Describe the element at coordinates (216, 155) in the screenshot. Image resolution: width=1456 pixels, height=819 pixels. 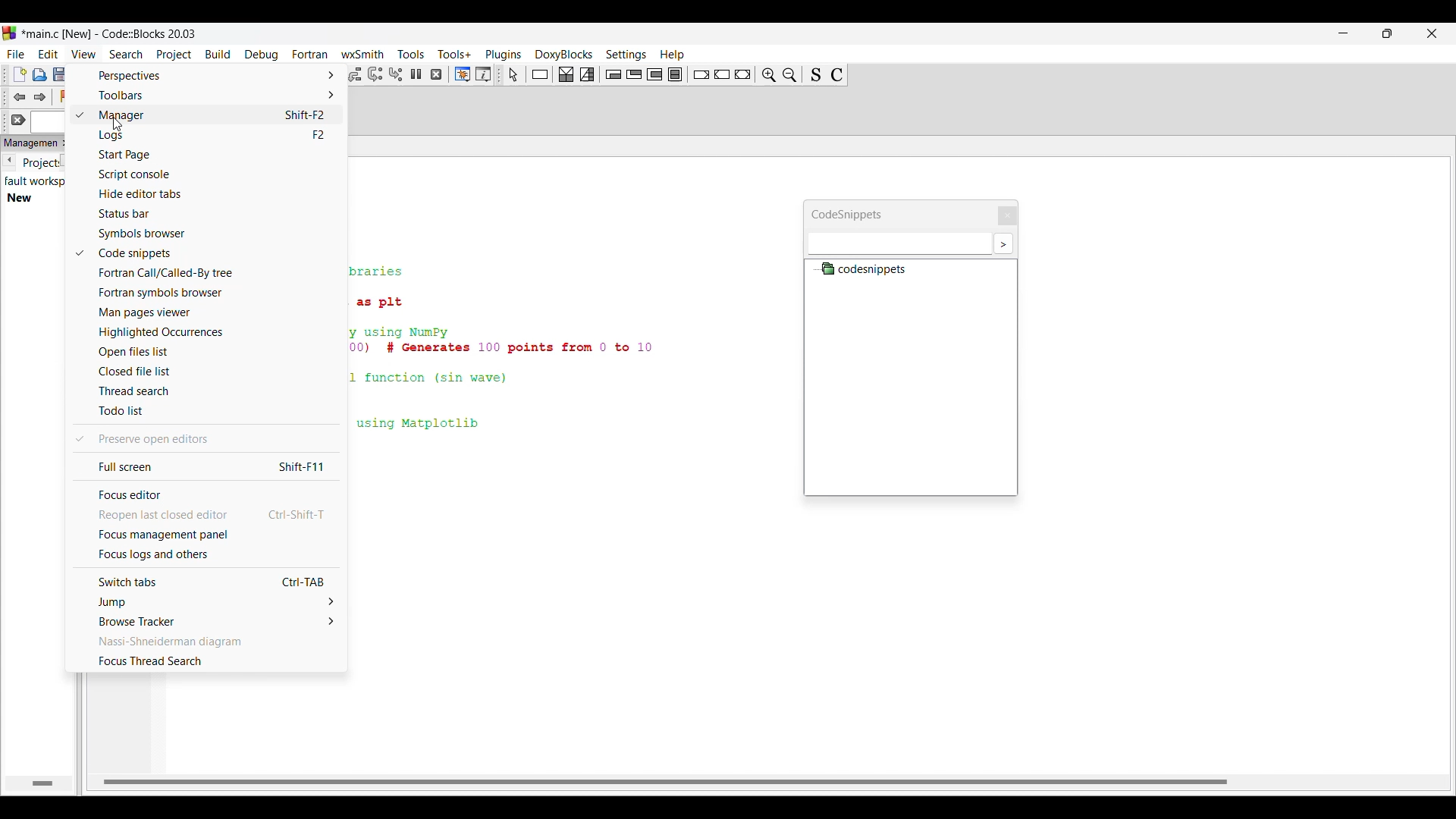
I see `Start page` at that location.